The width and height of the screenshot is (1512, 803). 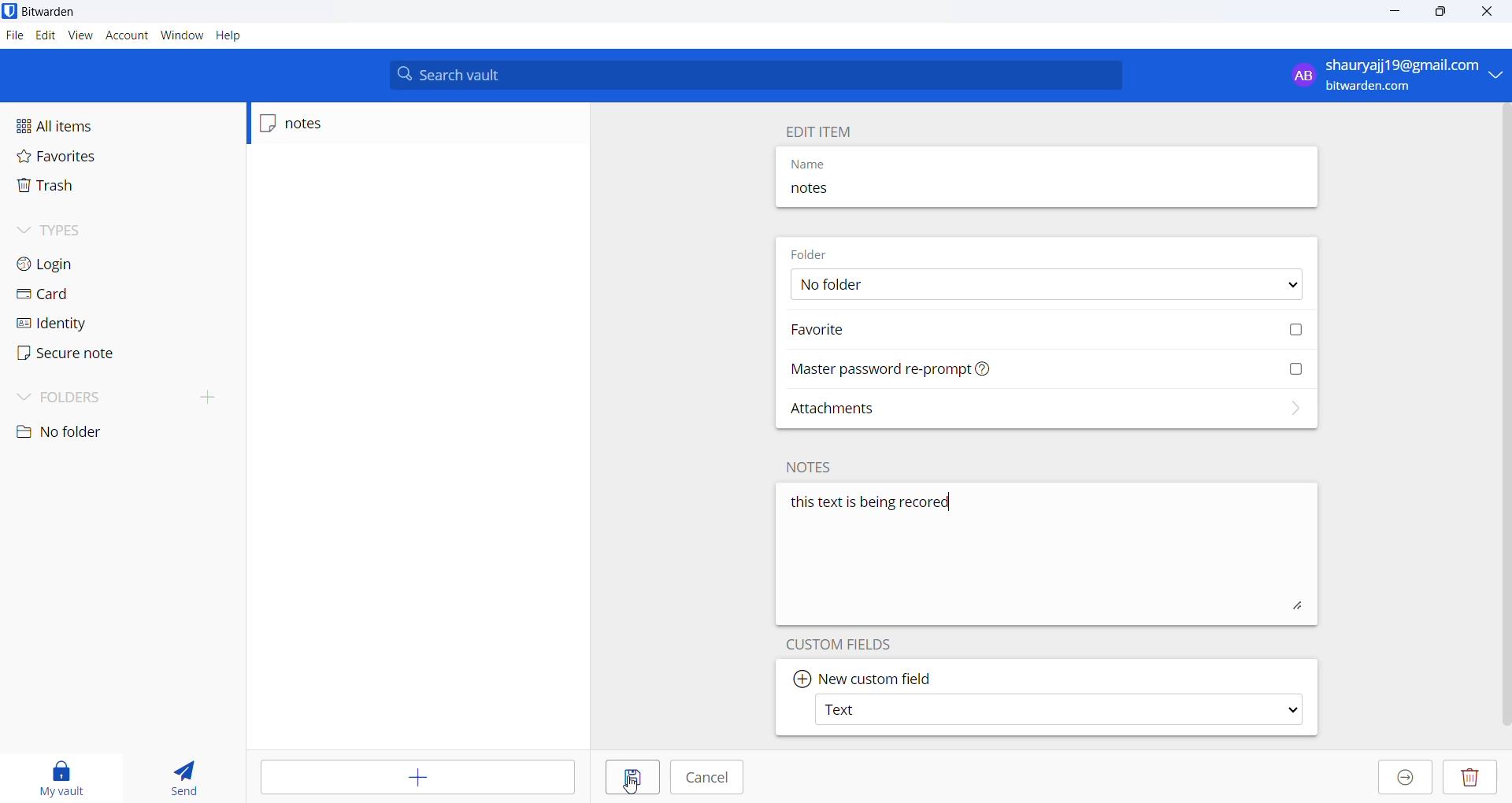 What do you see at coordinates (45, 36) in the screenshot?
I see `edit` at bounding box center [45, 36].